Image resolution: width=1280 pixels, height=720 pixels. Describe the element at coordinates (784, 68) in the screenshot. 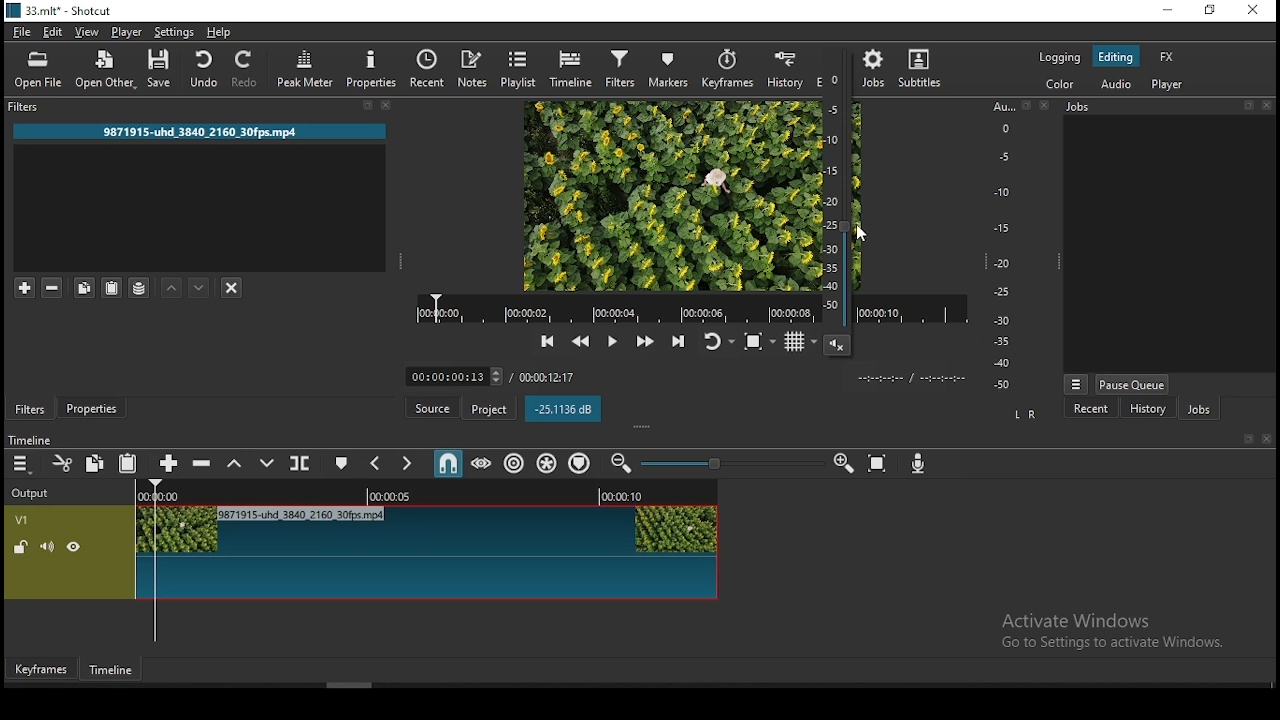

I see `history` at that location.